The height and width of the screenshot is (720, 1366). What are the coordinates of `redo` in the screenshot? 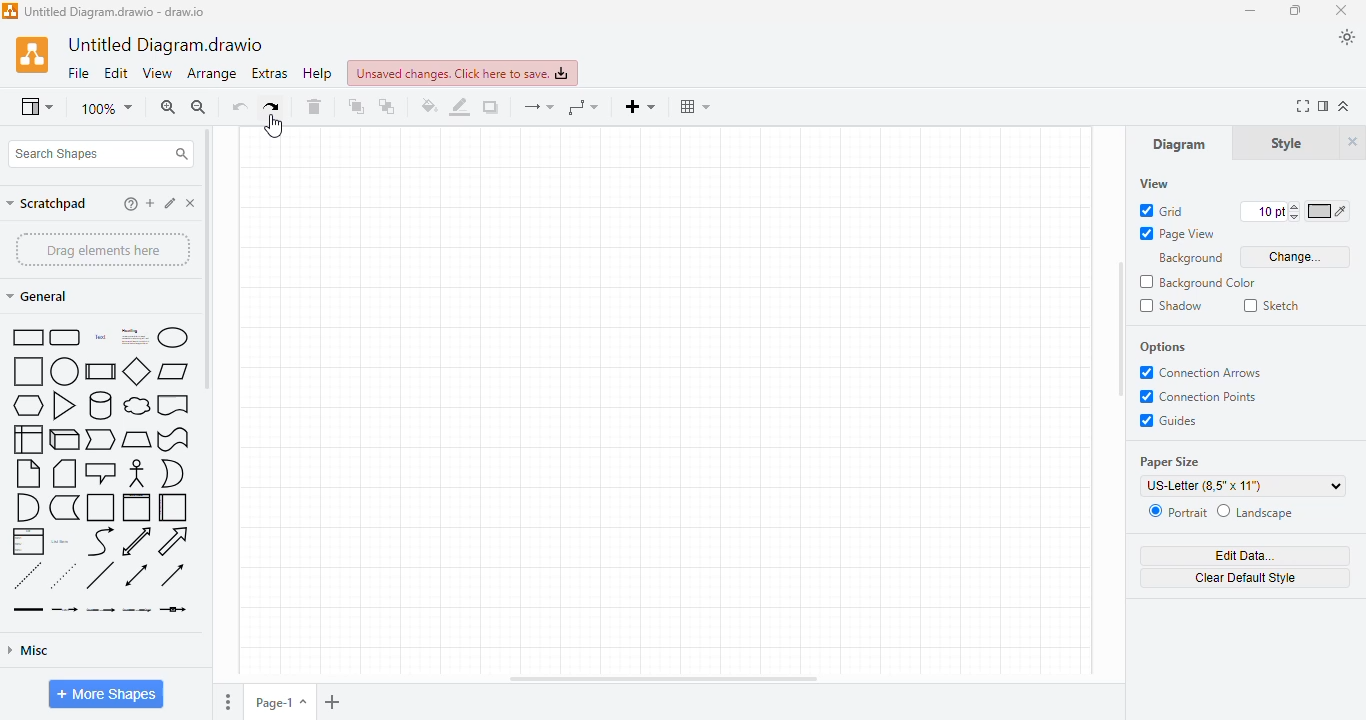 It's located at (272, 106).